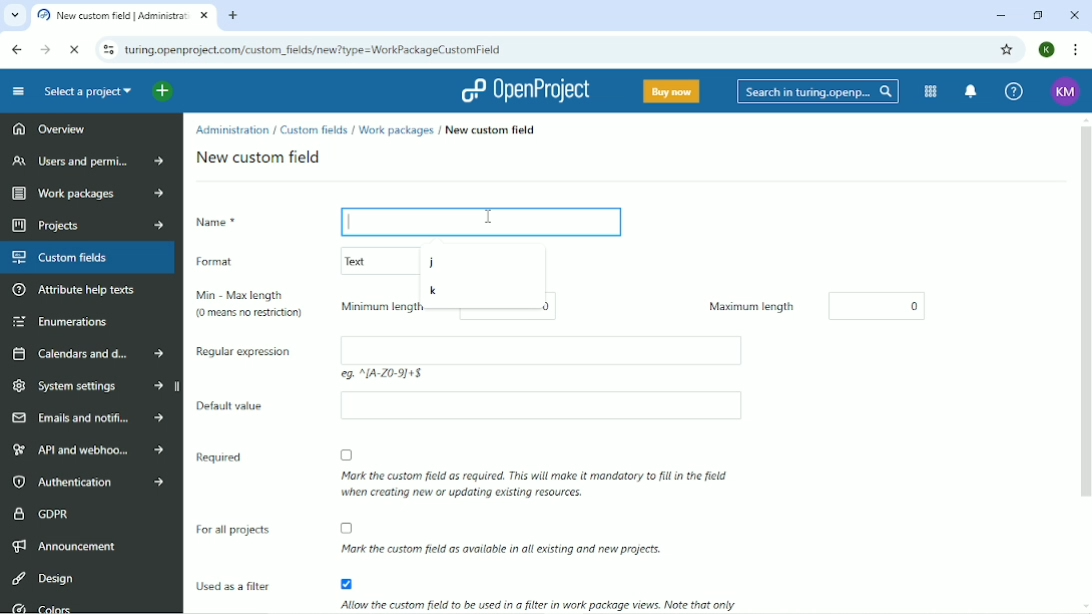 The height and width of the screenshot is (614, 1092). What do you see at coordinates (85, 91) in the screenshot?
I see `Select a project` at bounding box center [85, 91].